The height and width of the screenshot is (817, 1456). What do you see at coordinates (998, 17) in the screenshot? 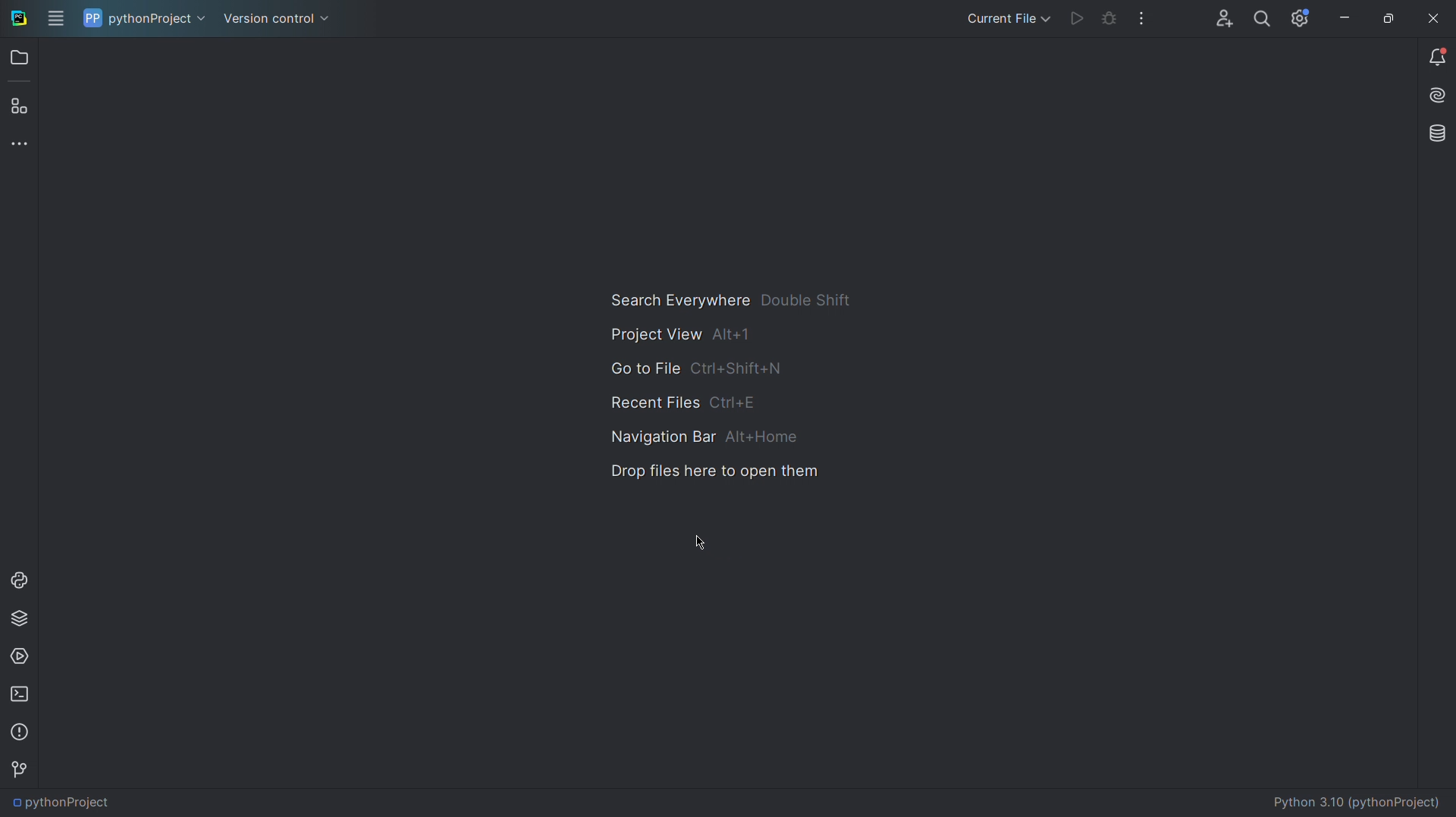
I see `current file` at bounding box center [998, 17].